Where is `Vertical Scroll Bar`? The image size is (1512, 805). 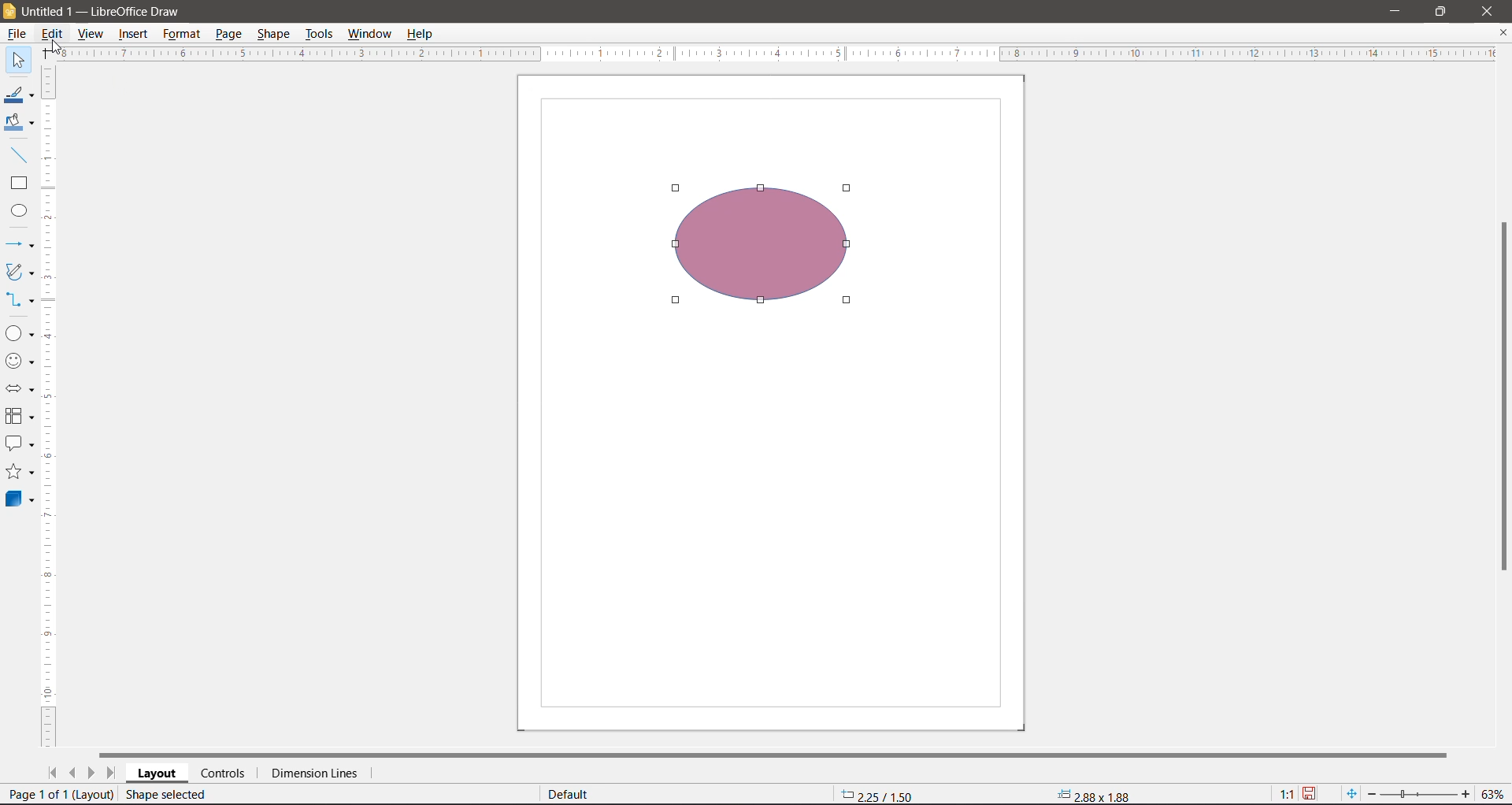 Vertical Scroll Bar is located at coordinates (1503, 399).